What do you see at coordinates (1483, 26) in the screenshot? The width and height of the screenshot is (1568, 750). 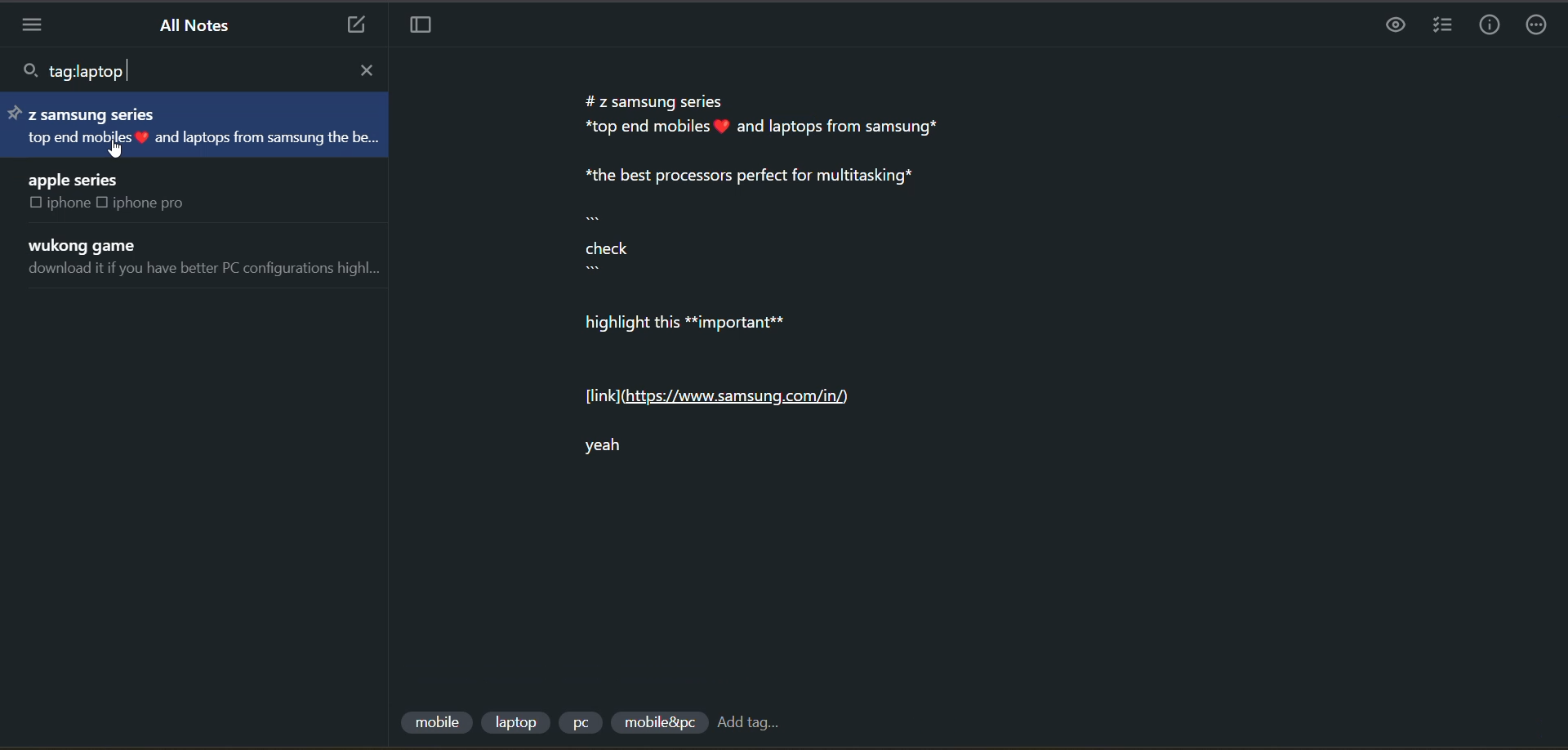 I see `info` at bounding box center [1483, 26].